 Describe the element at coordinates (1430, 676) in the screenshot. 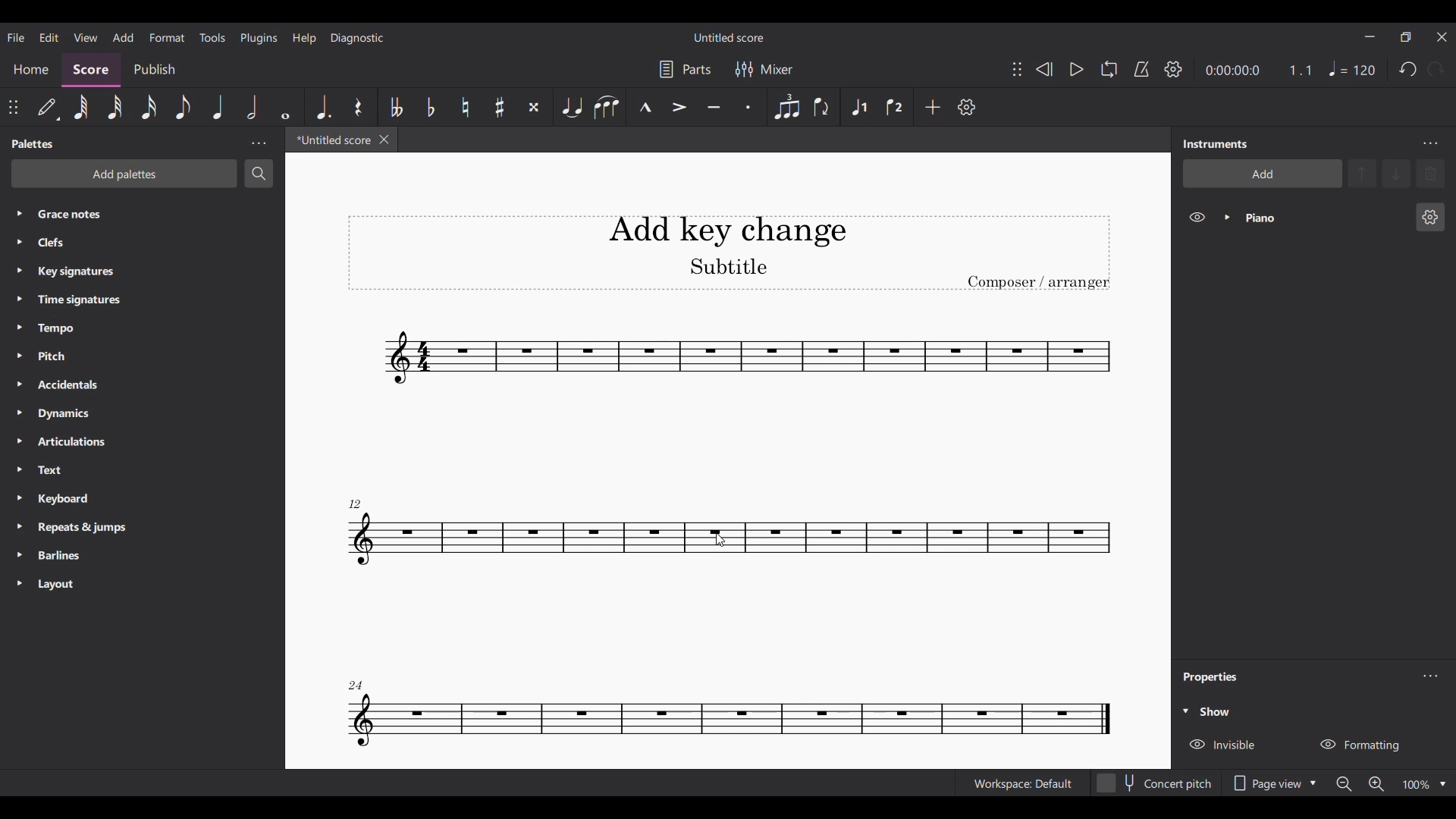

I see `Properties settings` at that location.